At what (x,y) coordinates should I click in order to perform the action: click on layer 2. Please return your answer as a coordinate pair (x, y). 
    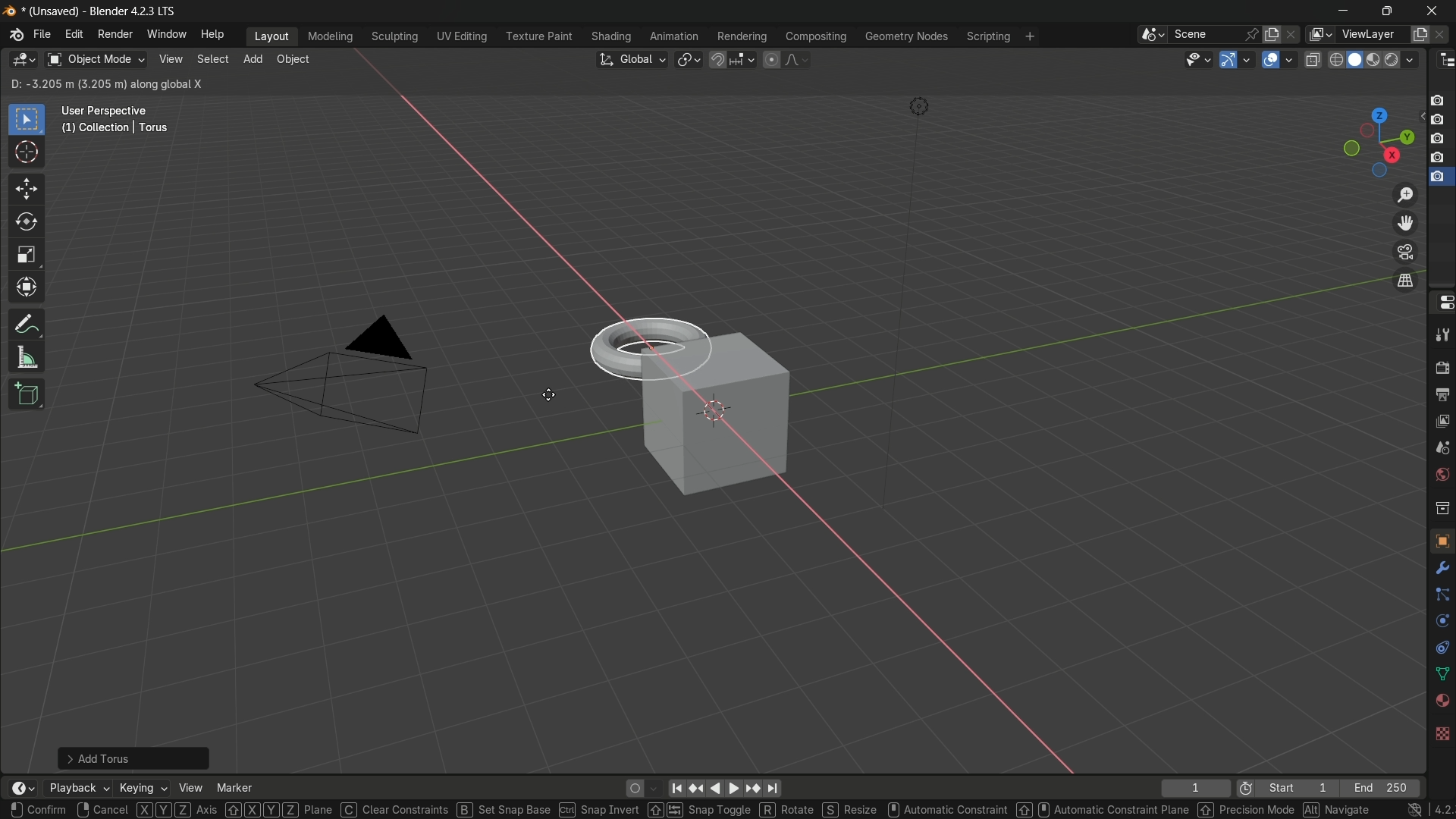
    Looking at the image, I should click on (1436, 119).